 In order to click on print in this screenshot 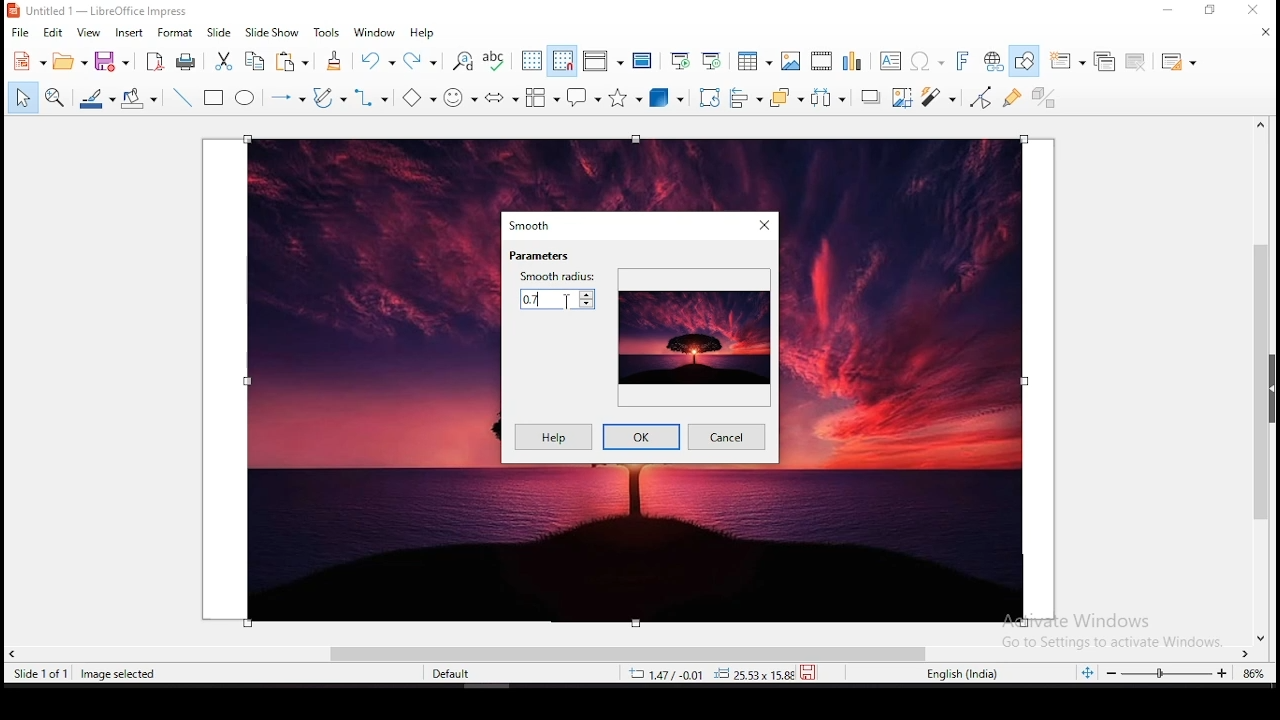, I will do `click(183, 61)`.